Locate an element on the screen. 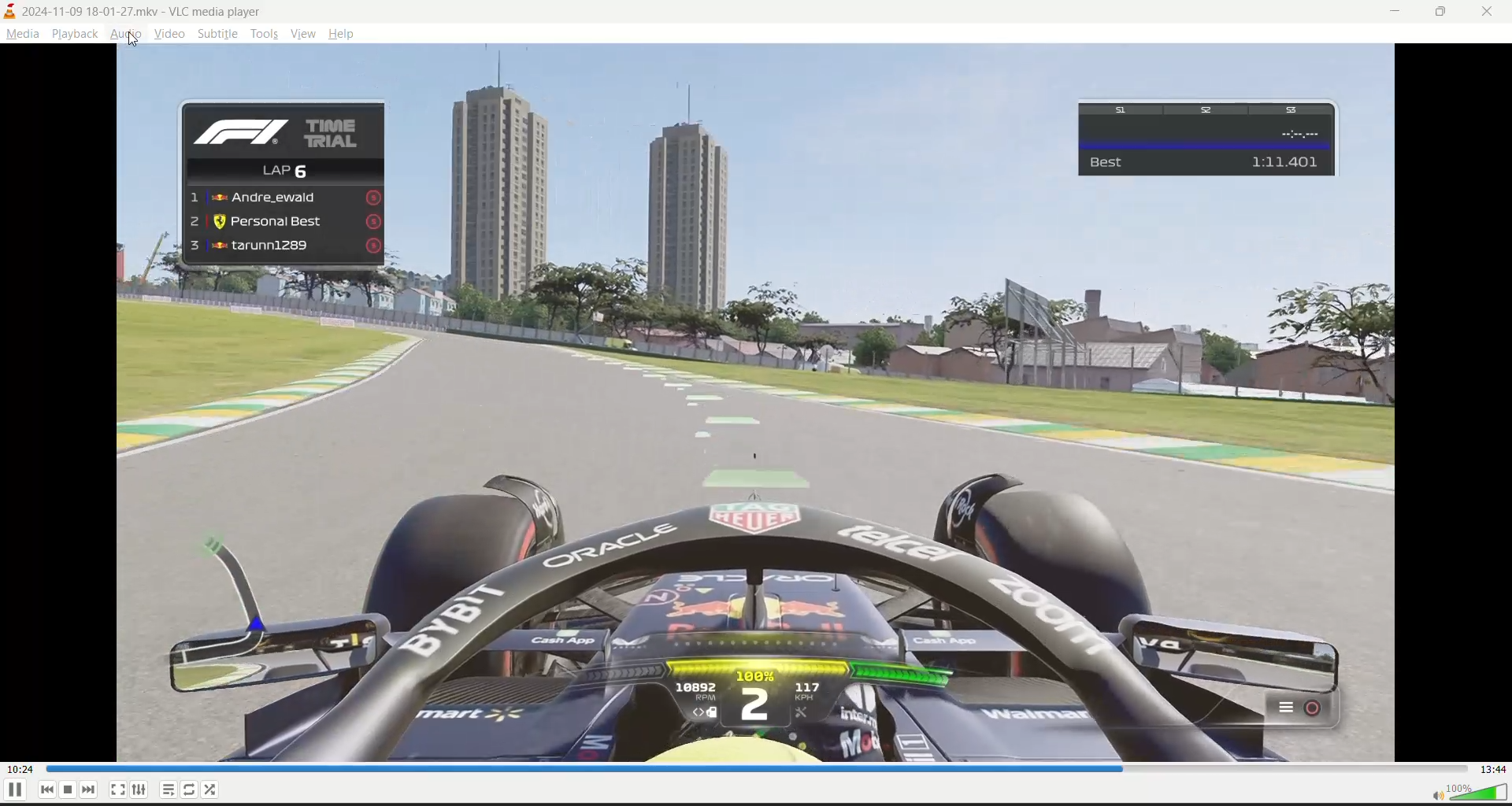 The image size is (1512, 806). audio is located at coordinates (128, 35).